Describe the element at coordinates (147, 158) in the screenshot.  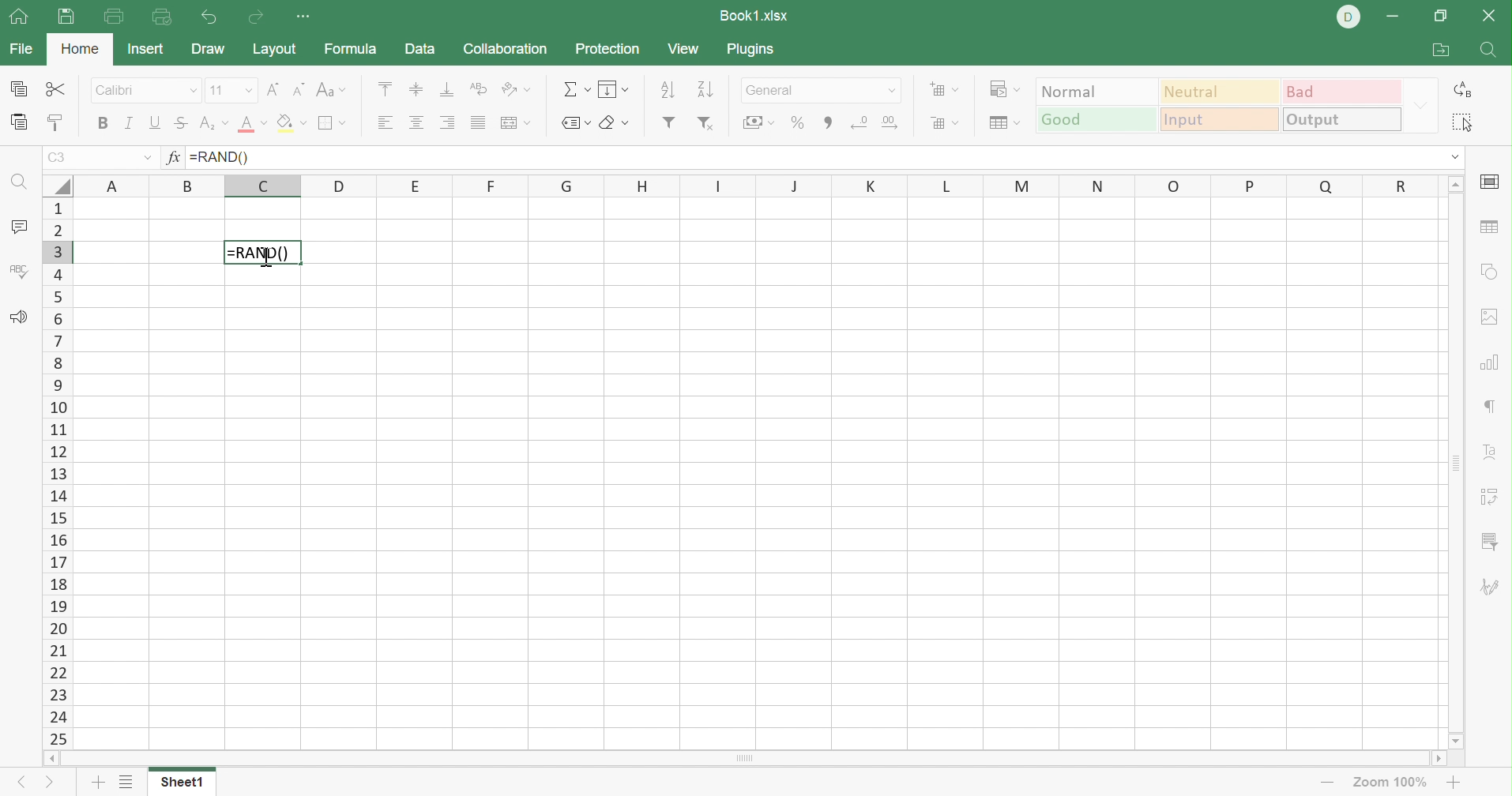
I see `Drop down` at that location.